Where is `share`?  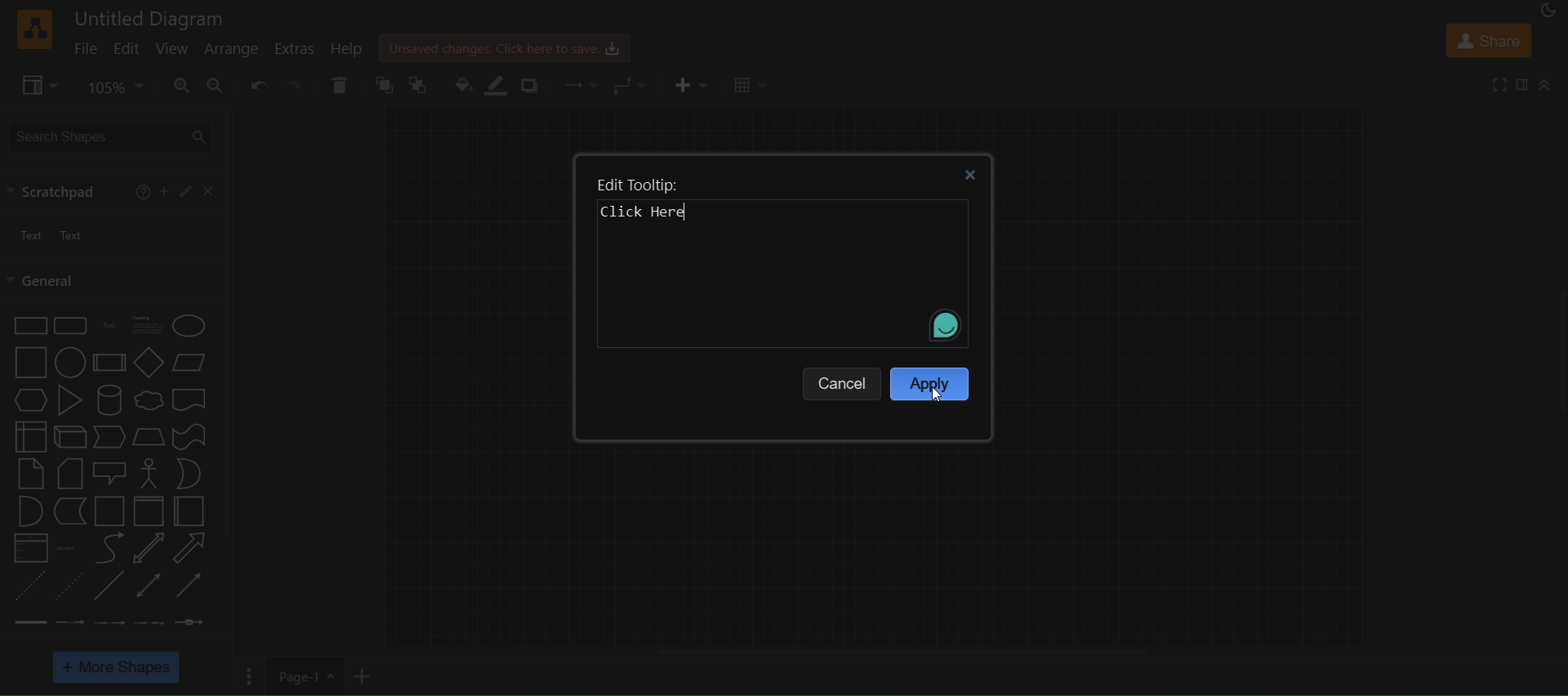 share is located at coordinates (1486, 39).